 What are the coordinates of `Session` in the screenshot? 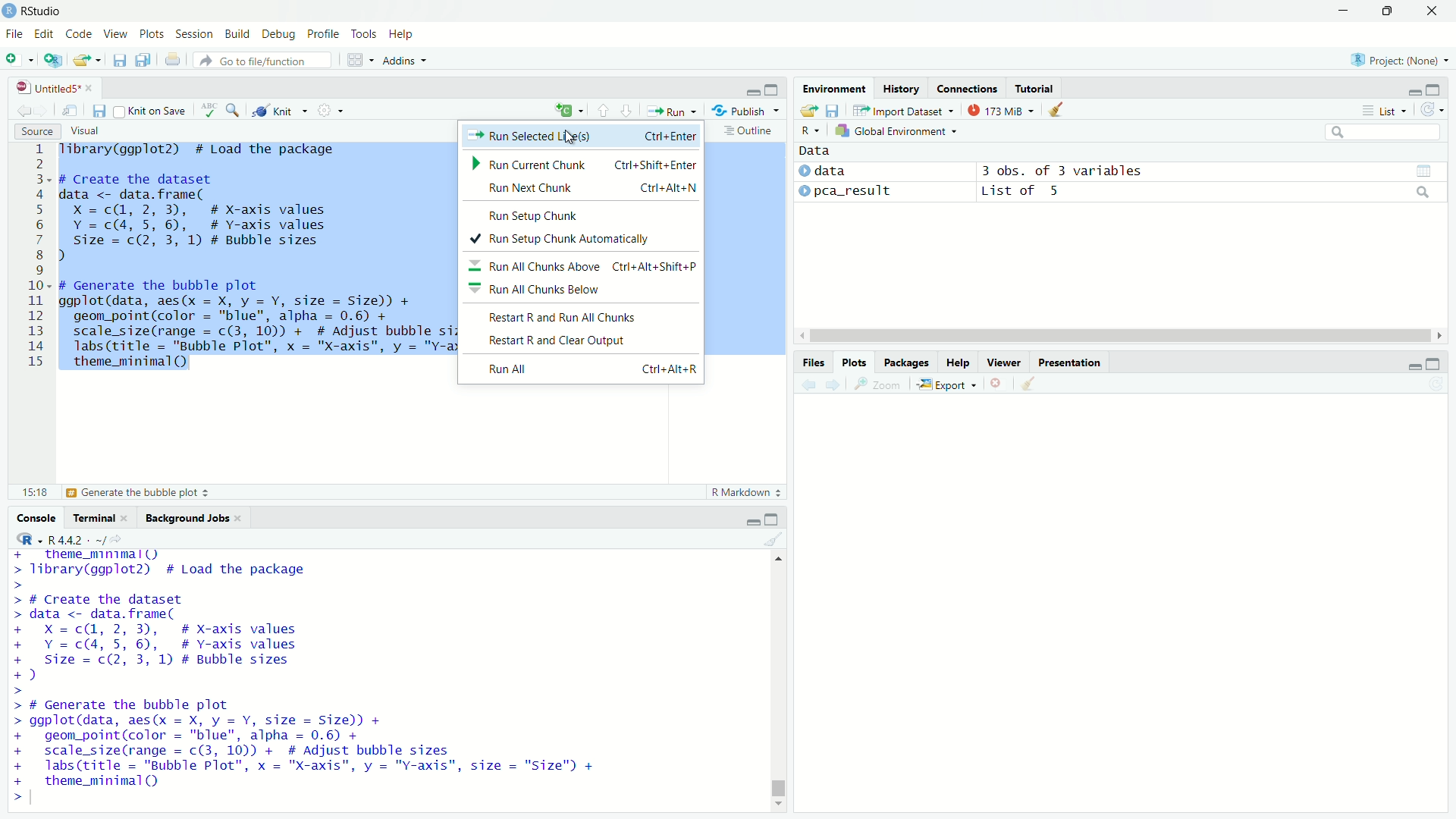 It's located at (196, 34).